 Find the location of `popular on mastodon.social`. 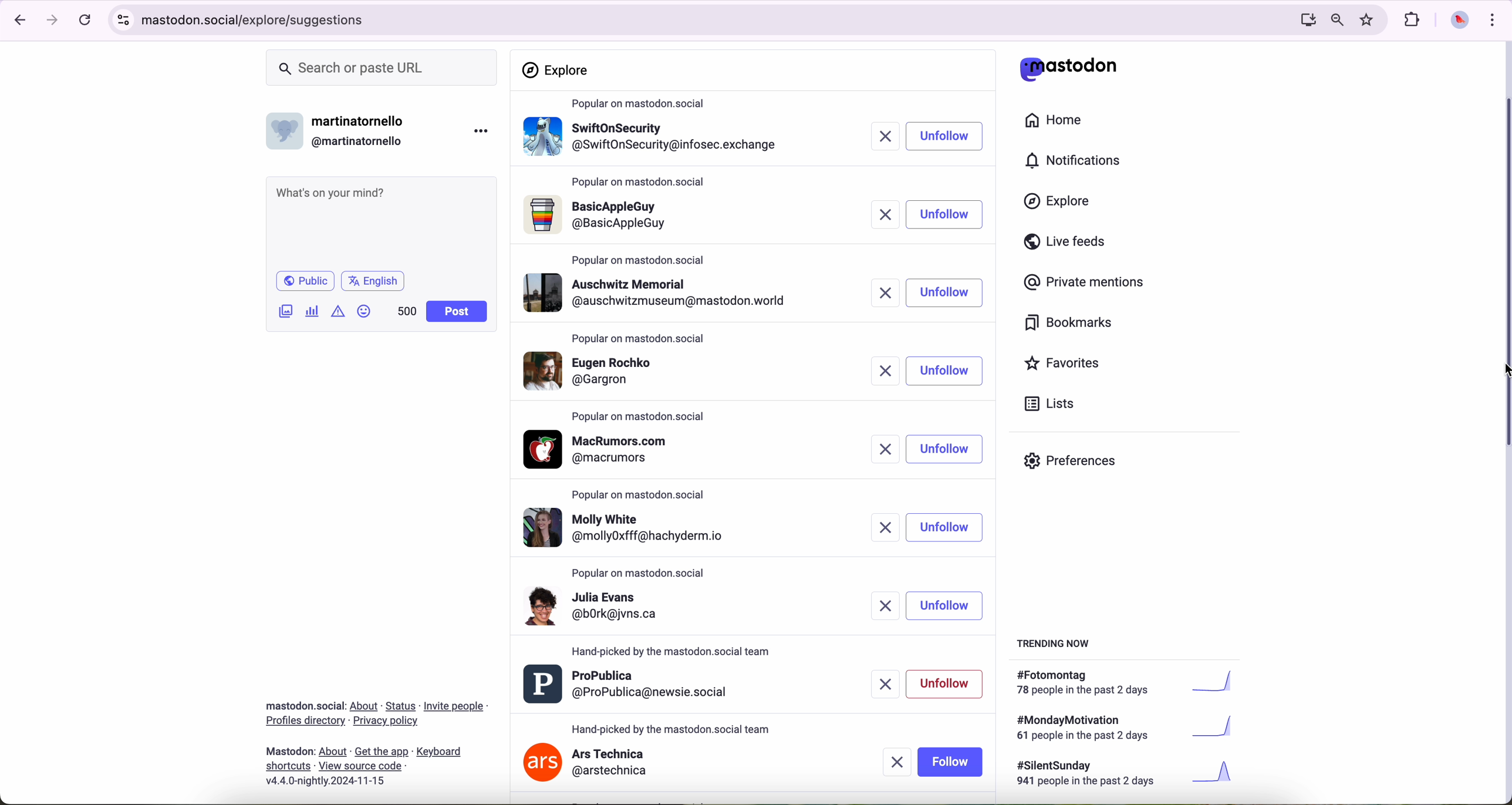

popular on mastodon.social is located at coordinates (644, 574).